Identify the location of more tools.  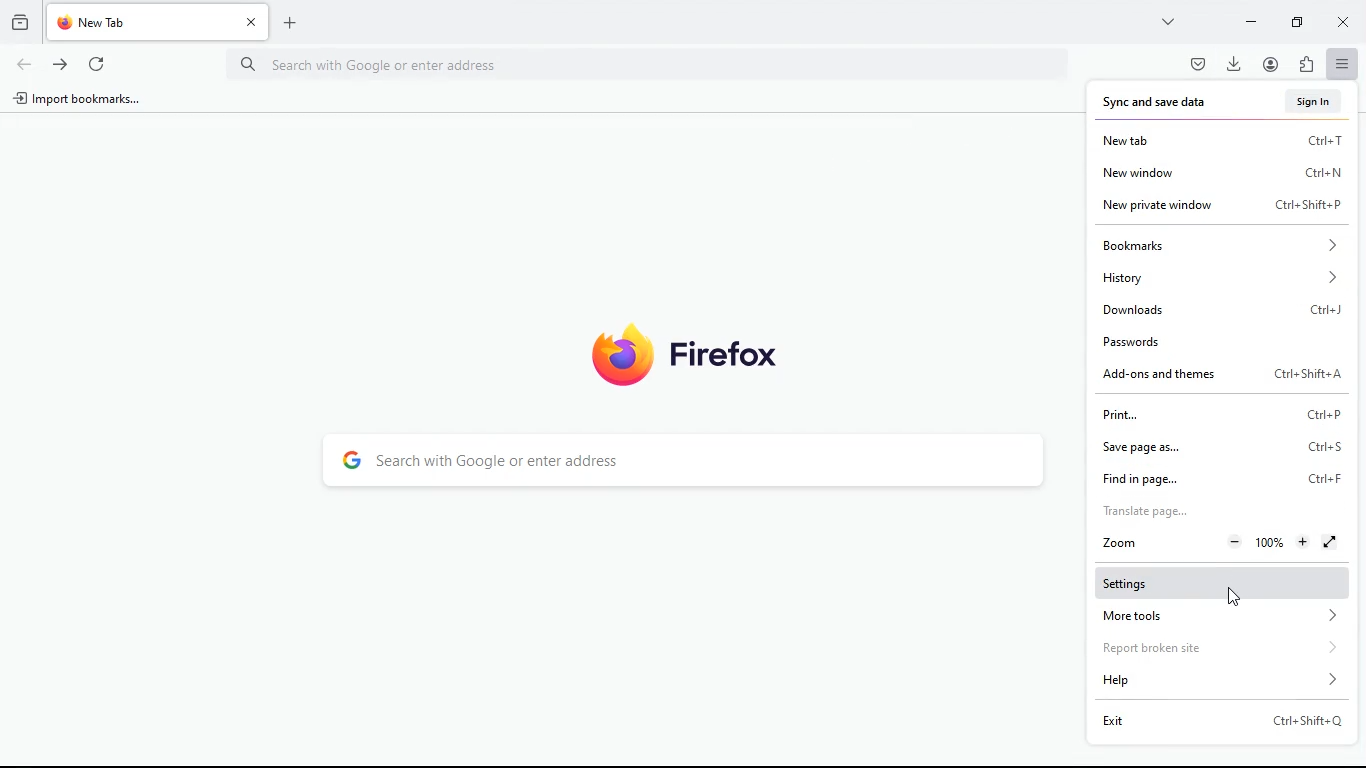
(1211, 618).